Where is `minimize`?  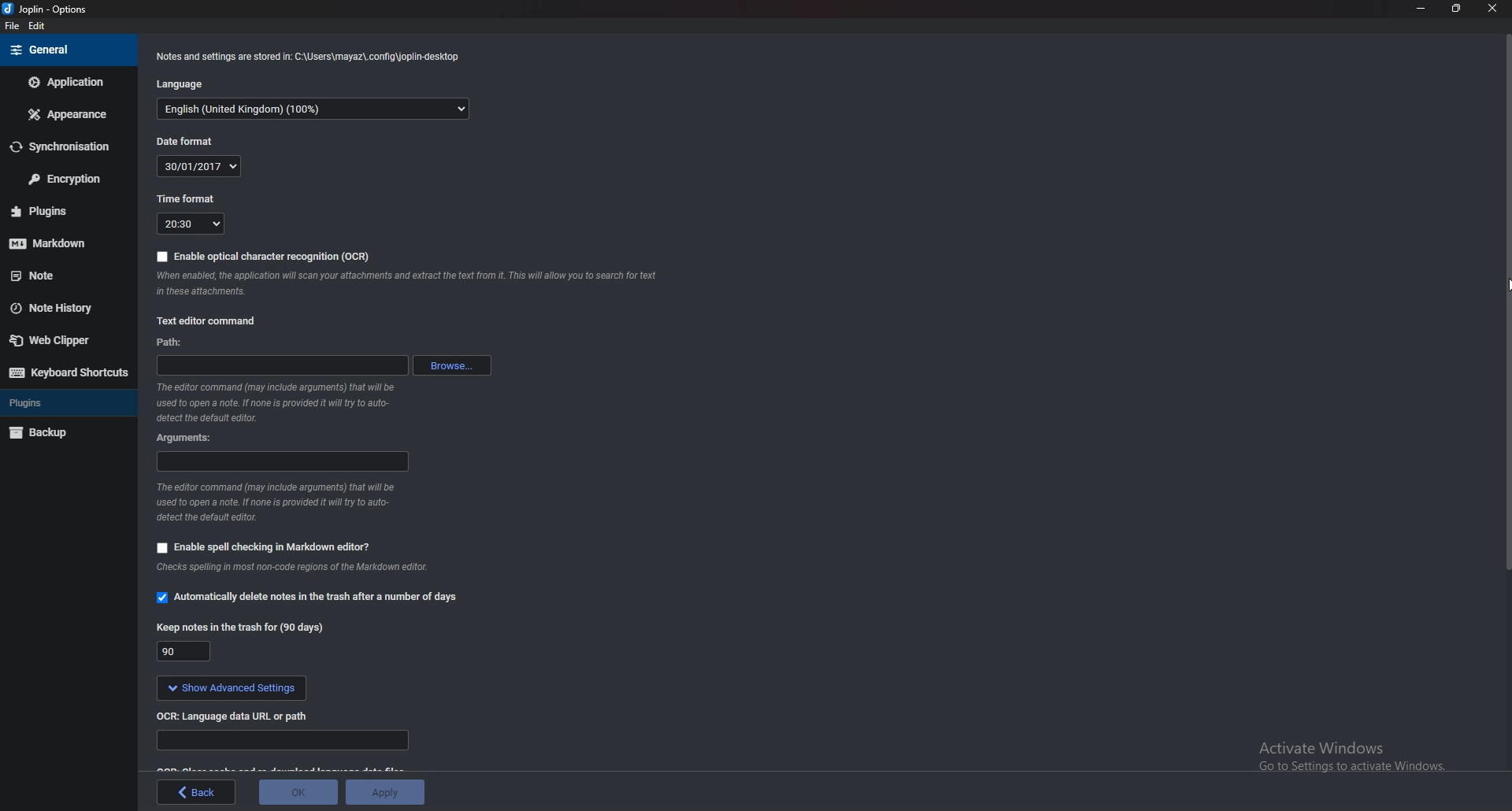
minimize is located at coordinates (1421, 10).